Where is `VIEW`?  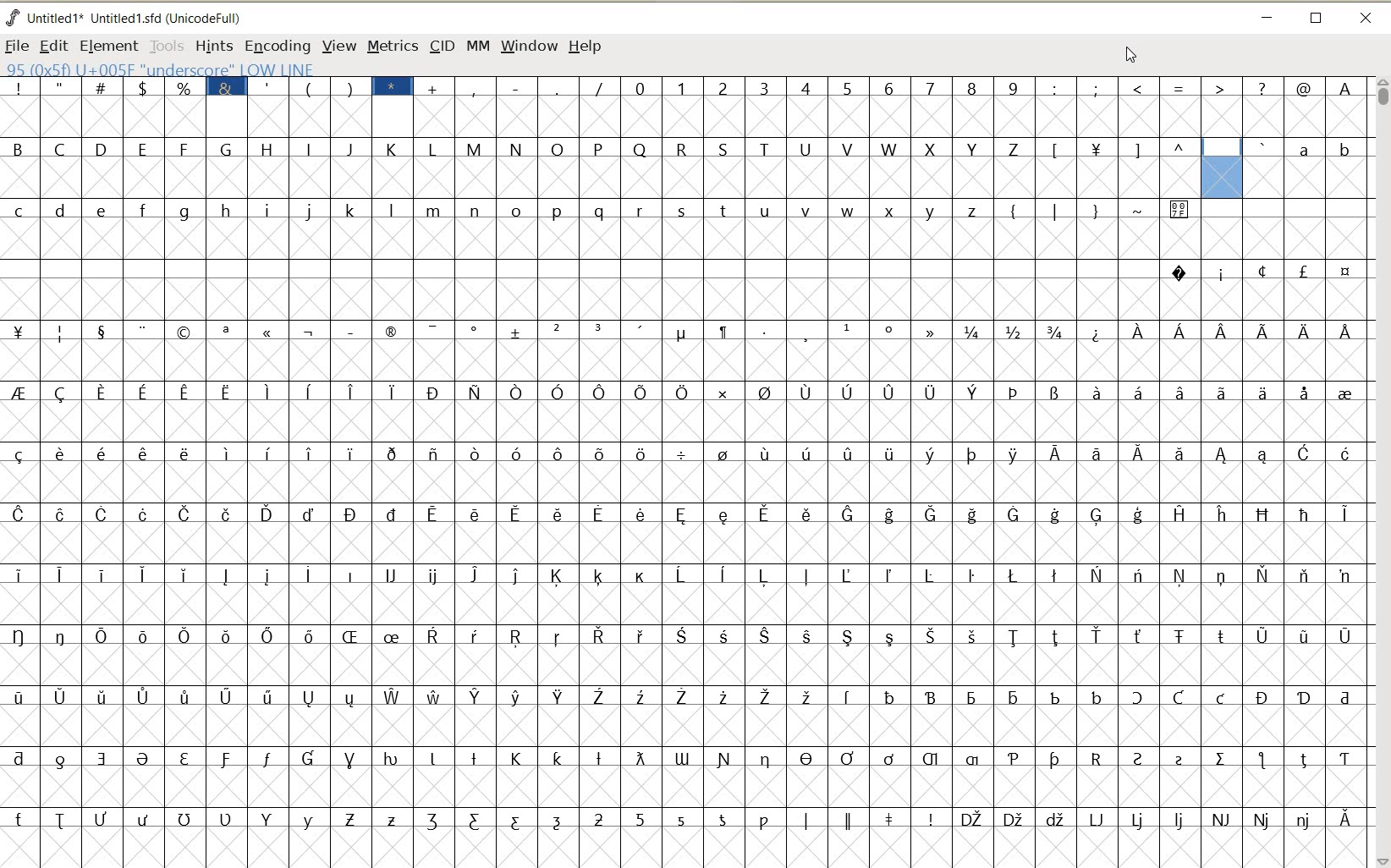
VIEW is located at coordinates (336, 45).